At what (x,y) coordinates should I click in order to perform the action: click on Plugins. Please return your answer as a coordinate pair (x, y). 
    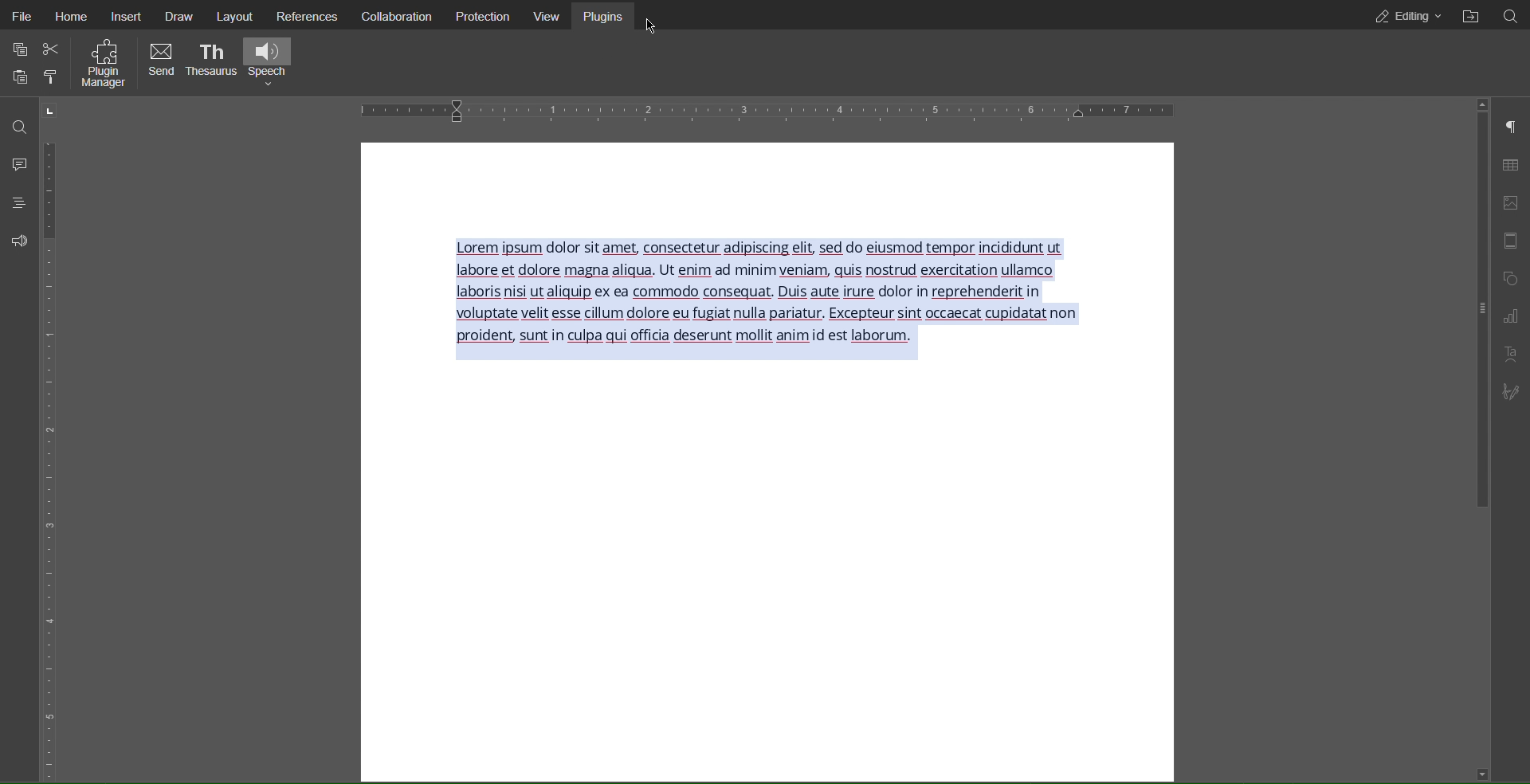
    Looking at the image, I should click on (609, 16).